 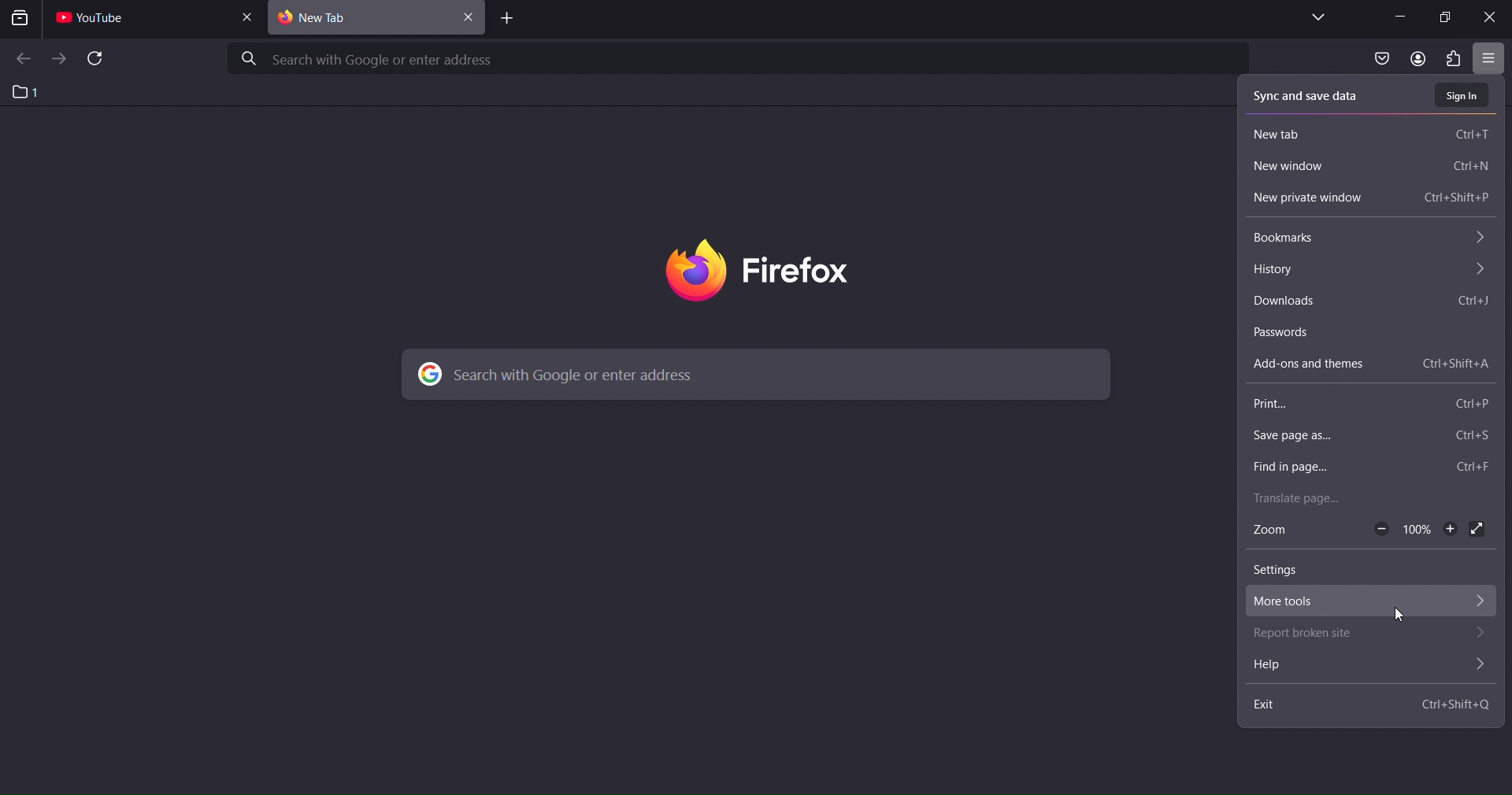 I want to click on account, so click(x=1414, y=58).